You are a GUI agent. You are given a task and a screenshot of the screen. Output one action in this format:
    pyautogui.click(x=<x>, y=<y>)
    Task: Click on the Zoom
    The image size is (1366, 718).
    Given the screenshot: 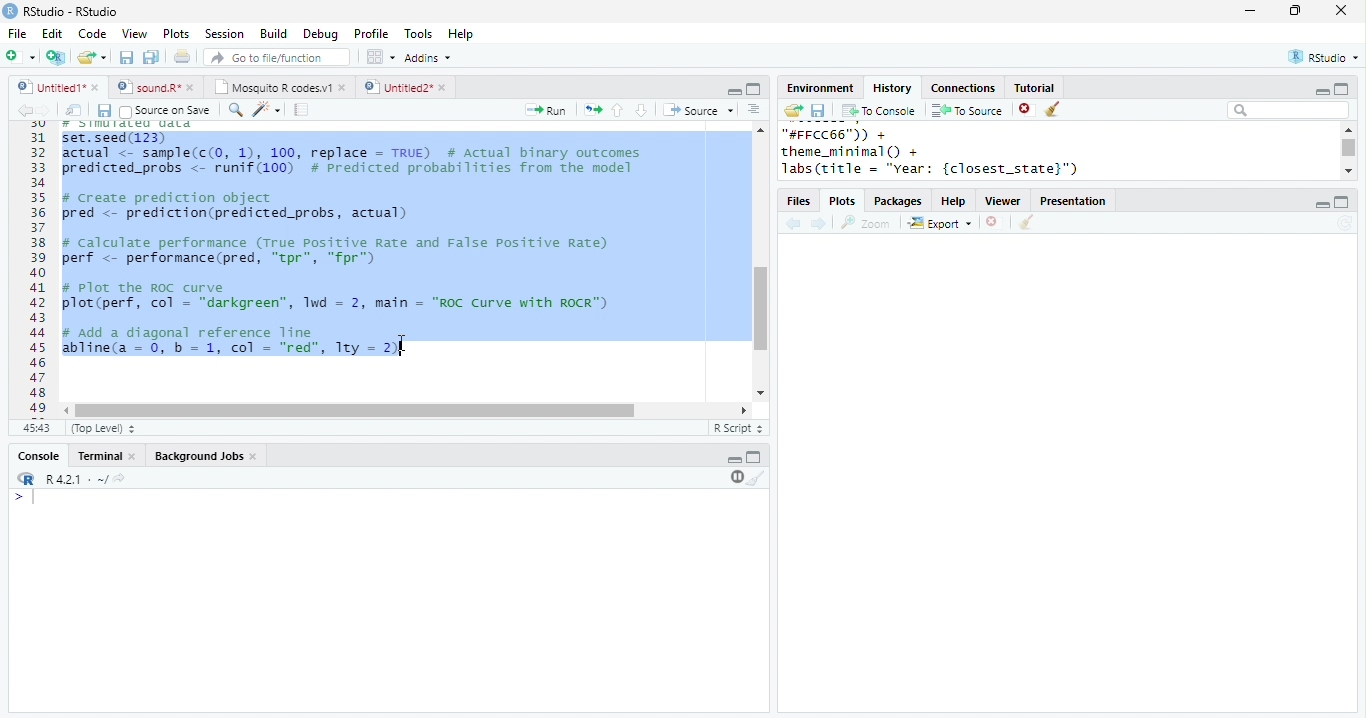 What is the action you would take?
    pyautogui.click(x=866, y=223)
    